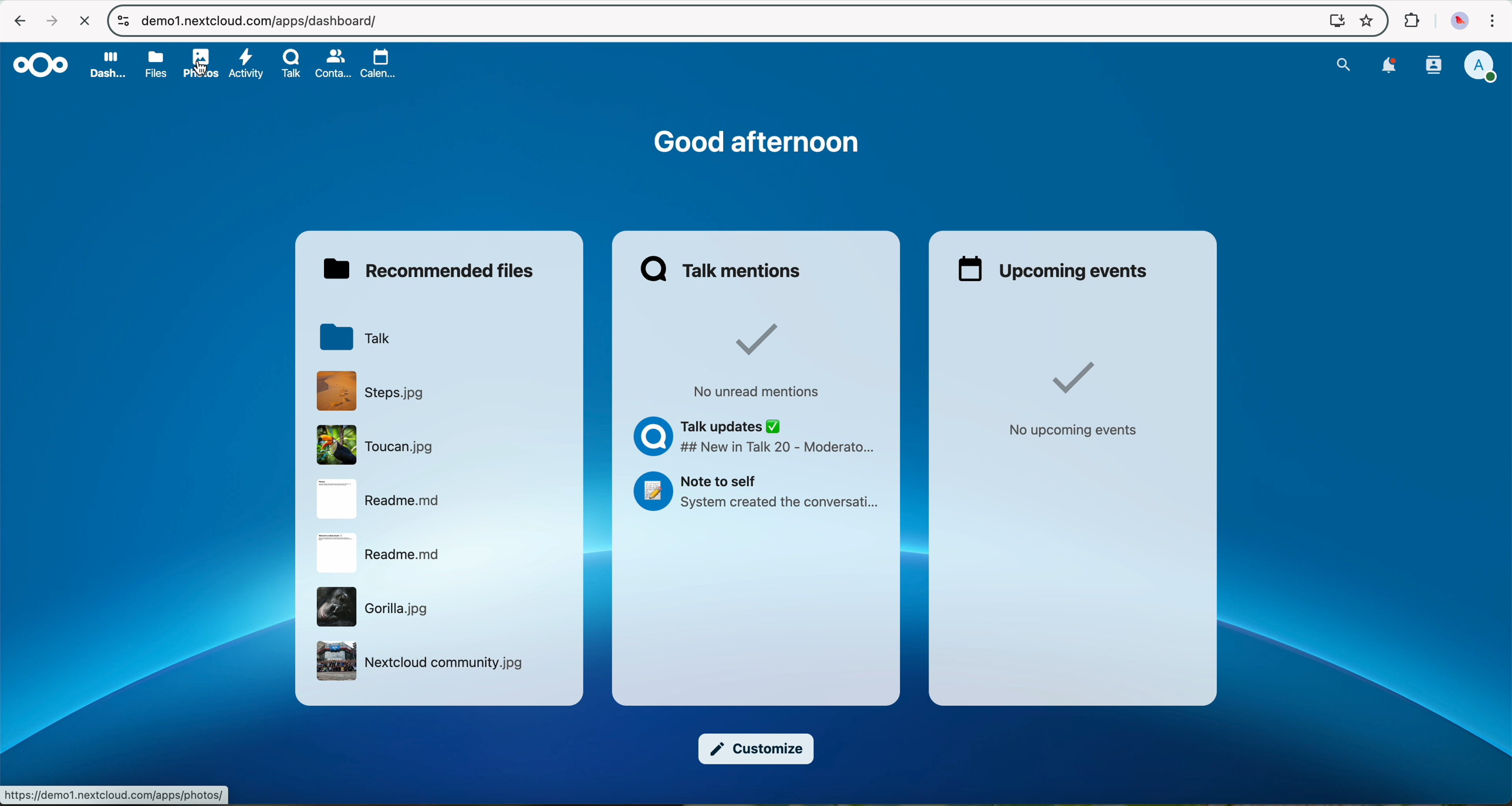 The width and height of the screenshot is (1512, 806). Describe the element at coordinates (372, 390) in the screenshot. I see `file` at that location.